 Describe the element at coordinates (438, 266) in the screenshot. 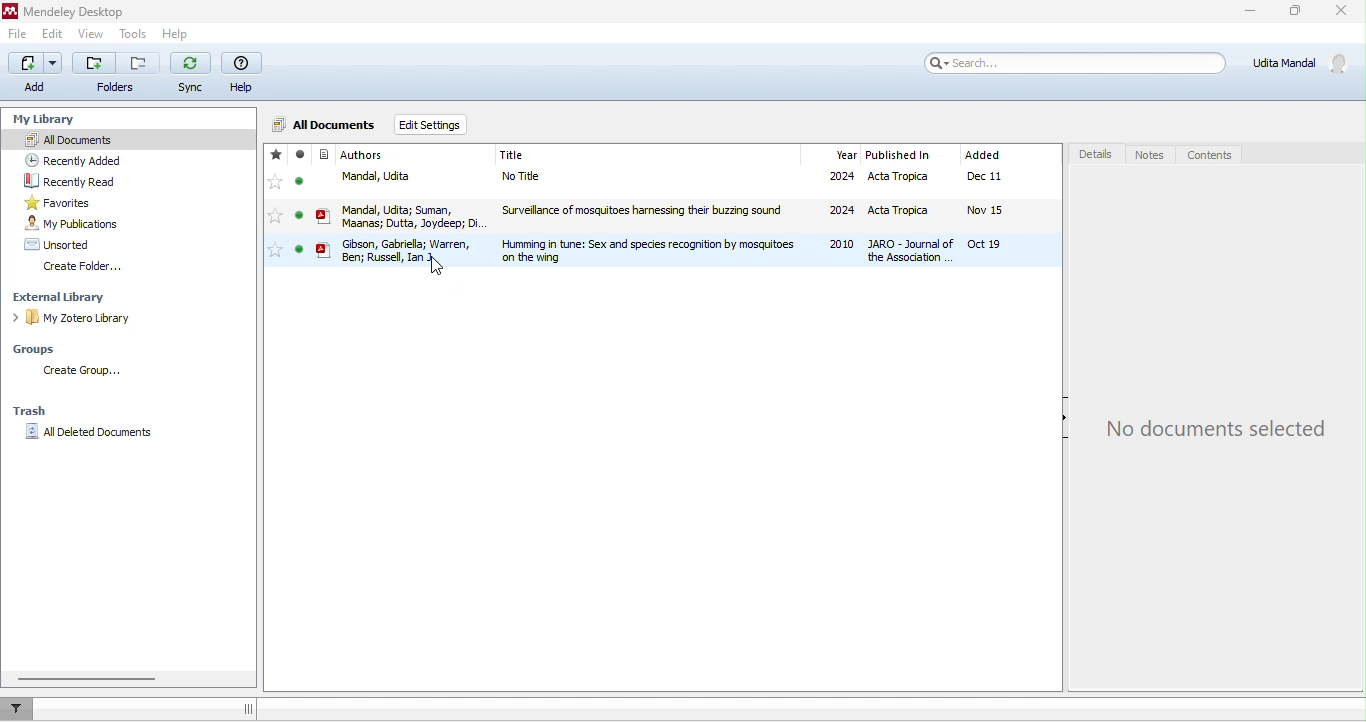

I see `cursor ` at that location.